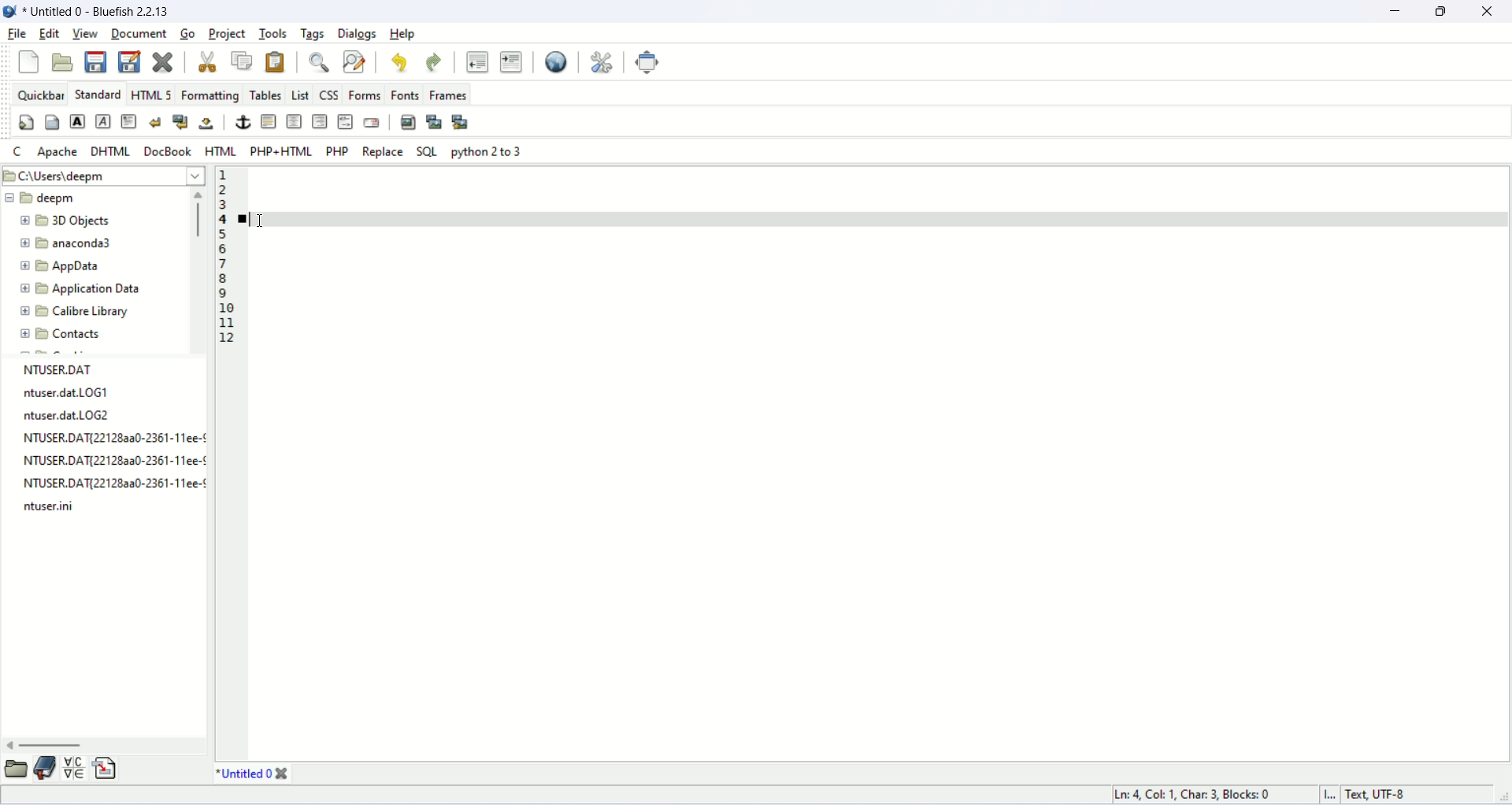 This screenshot has height=805, width=1512. I want to click on paste, so click(276, 62).